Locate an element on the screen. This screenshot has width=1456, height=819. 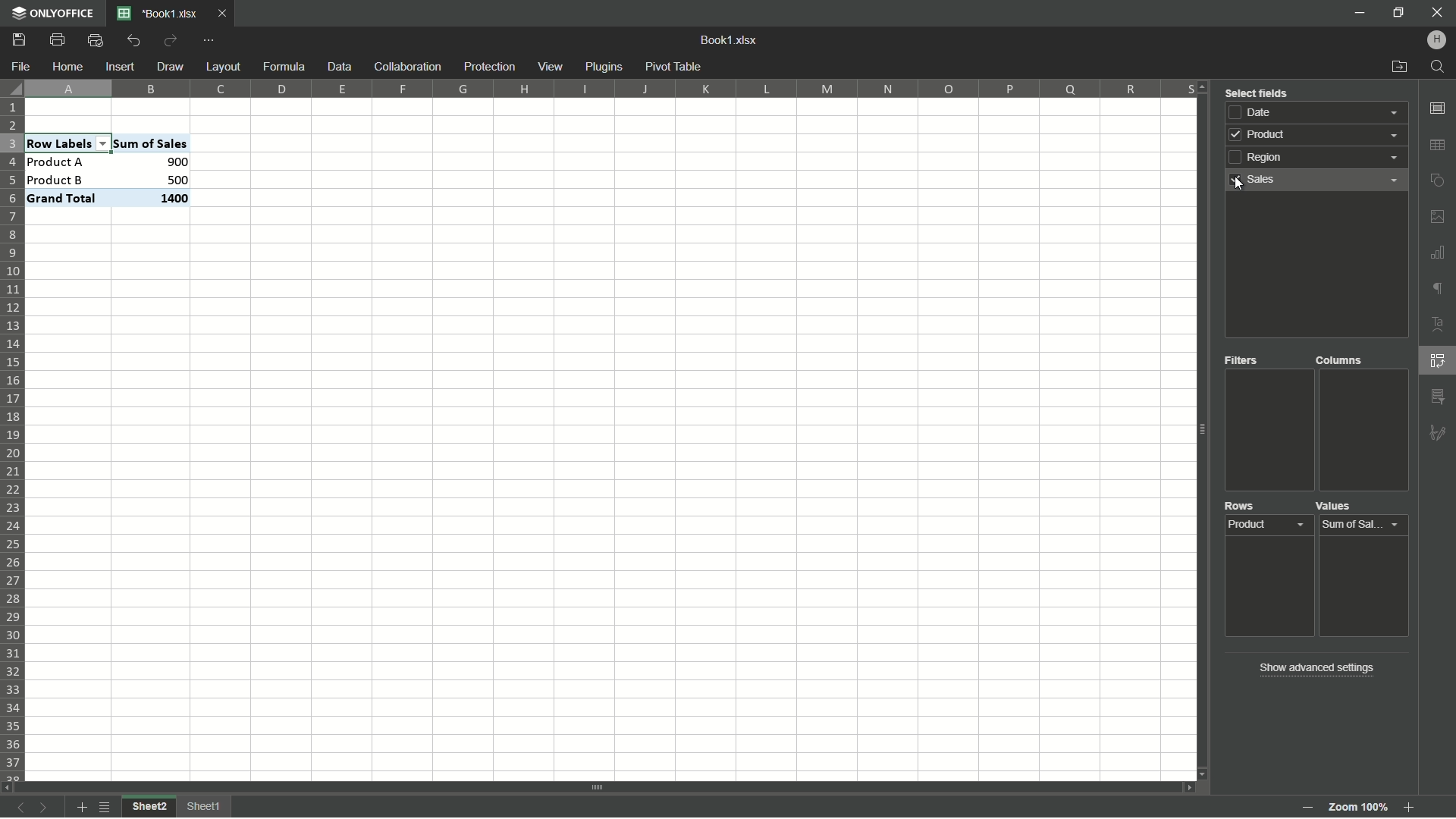
sheet1 is located at coordinates (207, 806).